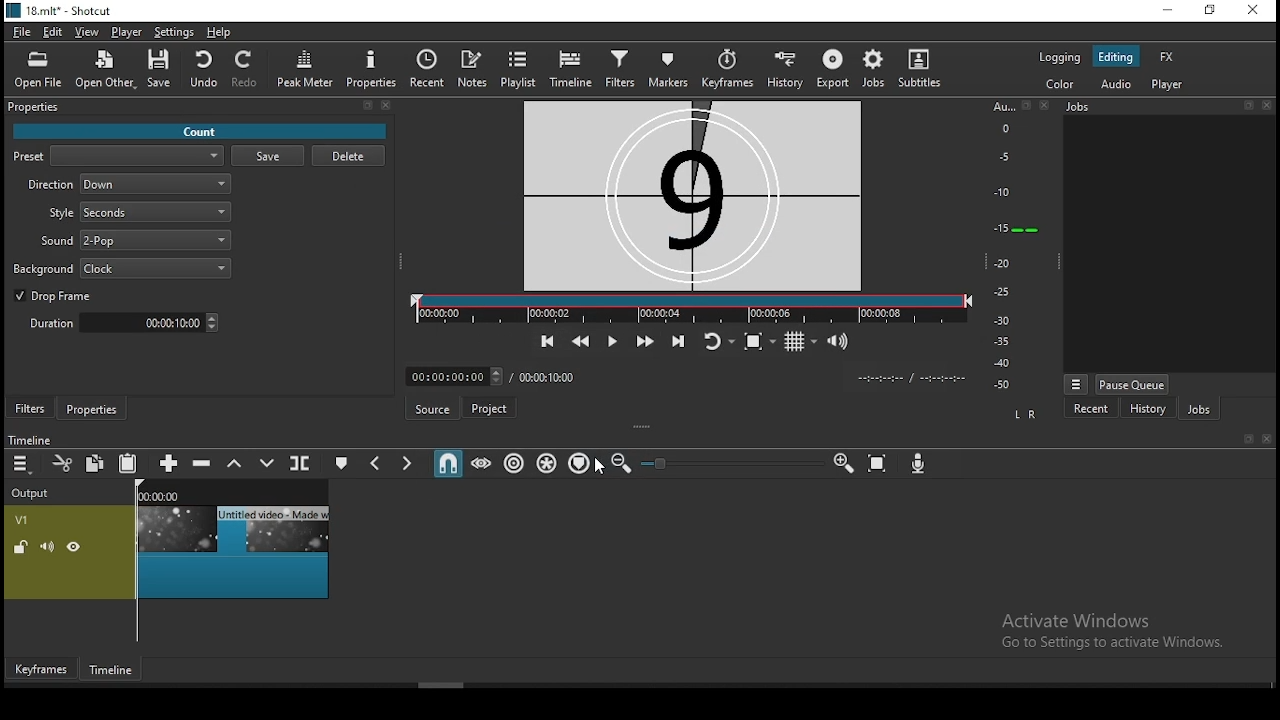 This screenshot has height=720, width=1280. What do you see at coordinates (841, 342) in the screenshot?
I see `show video volume control` at bounding box center [841, 342].